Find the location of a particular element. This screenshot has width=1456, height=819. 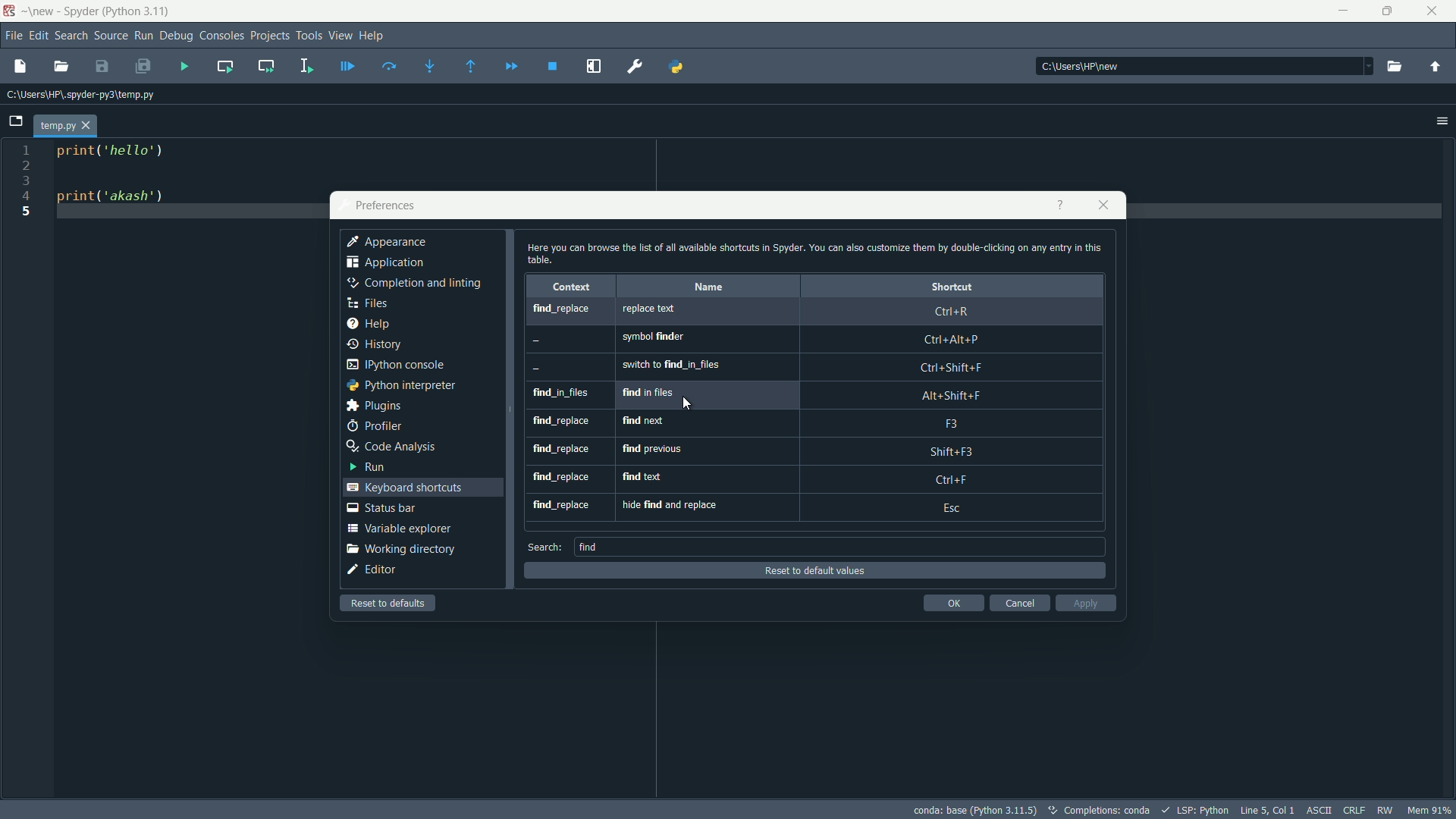

close app is located at coordinates (1432, 11).